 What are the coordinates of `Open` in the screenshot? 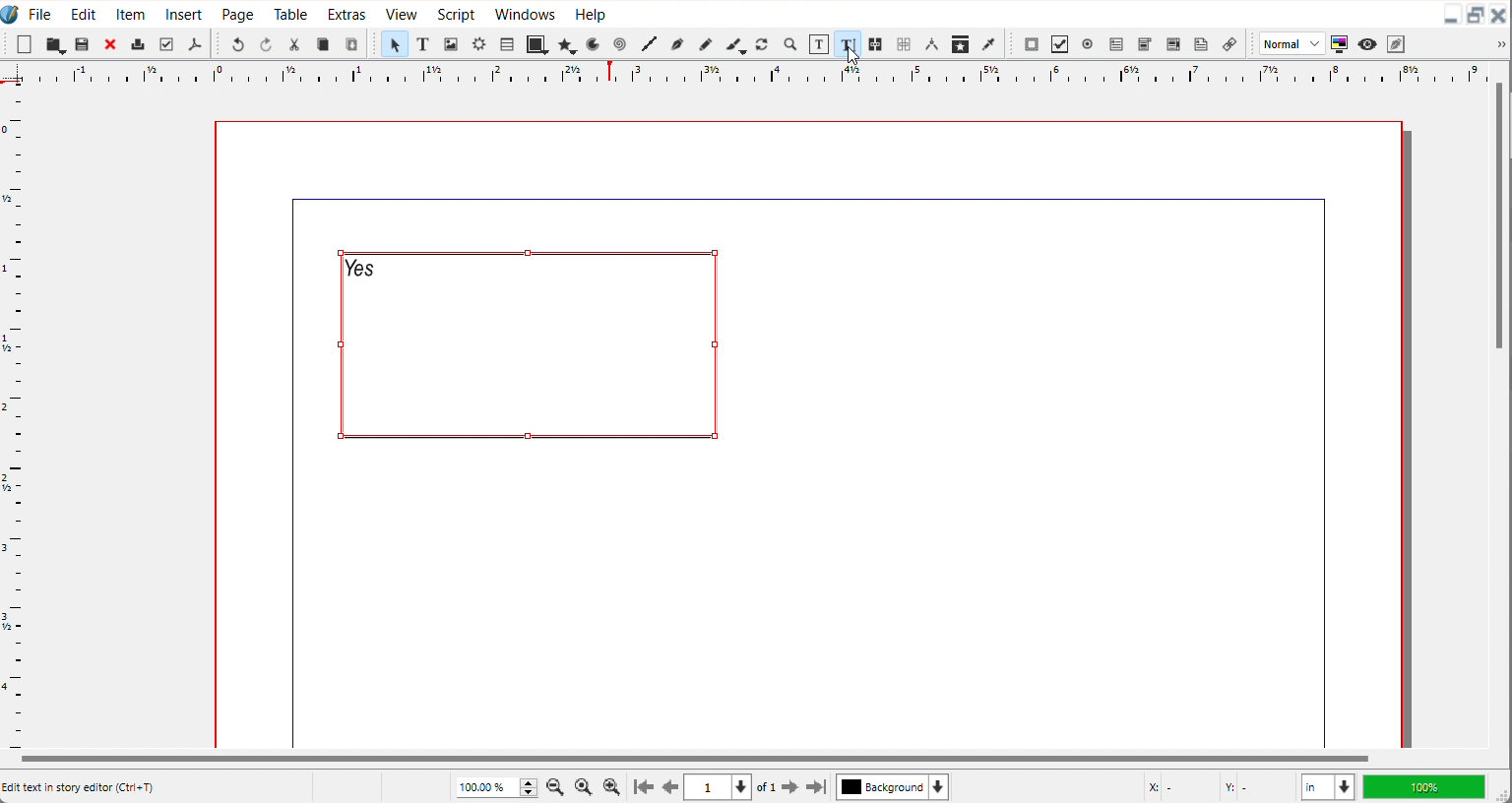 It's located at (84, 45).